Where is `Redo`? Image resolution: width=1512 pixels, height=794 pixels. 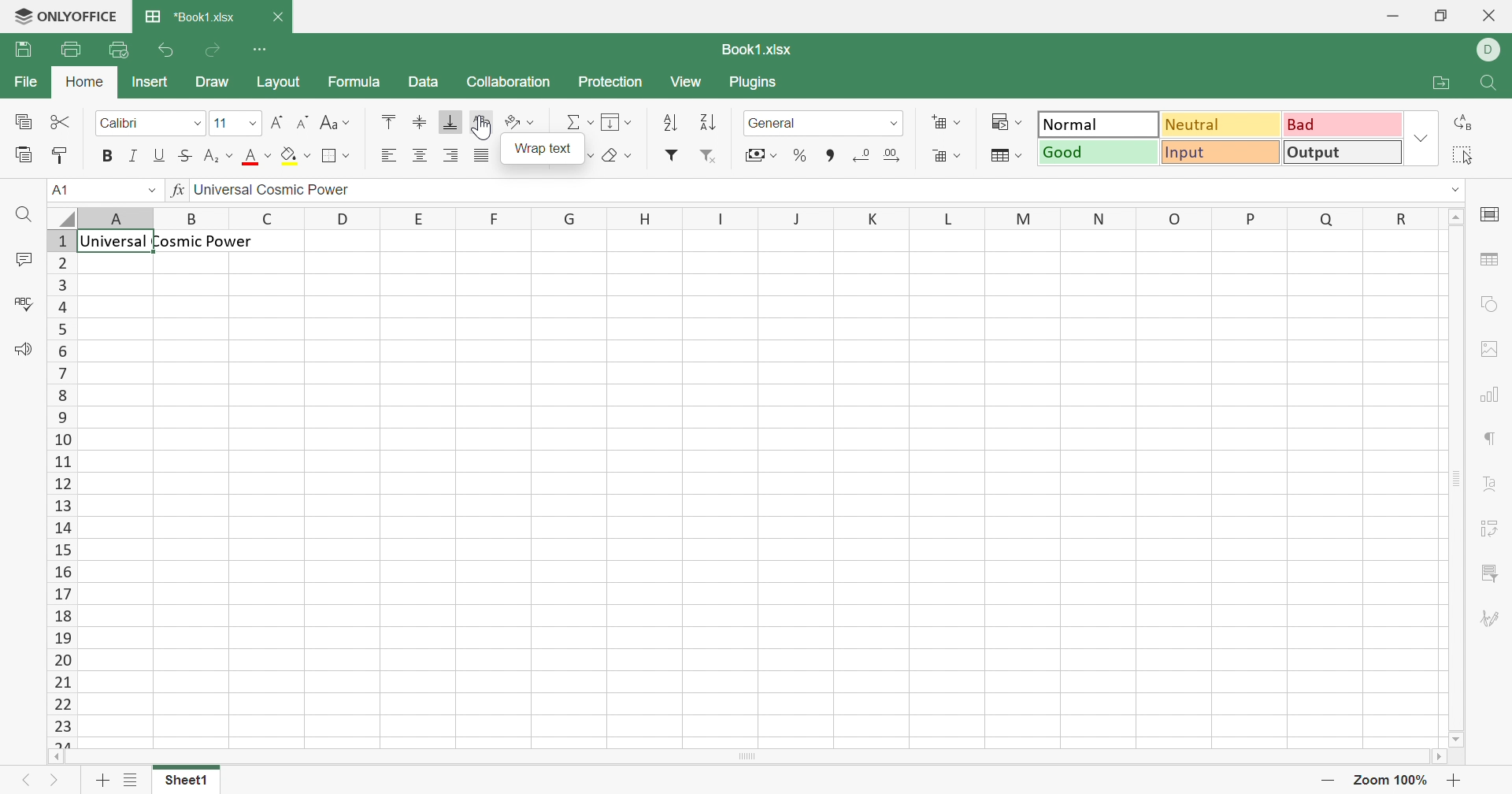 Redo is located at coordinates (213, 53).